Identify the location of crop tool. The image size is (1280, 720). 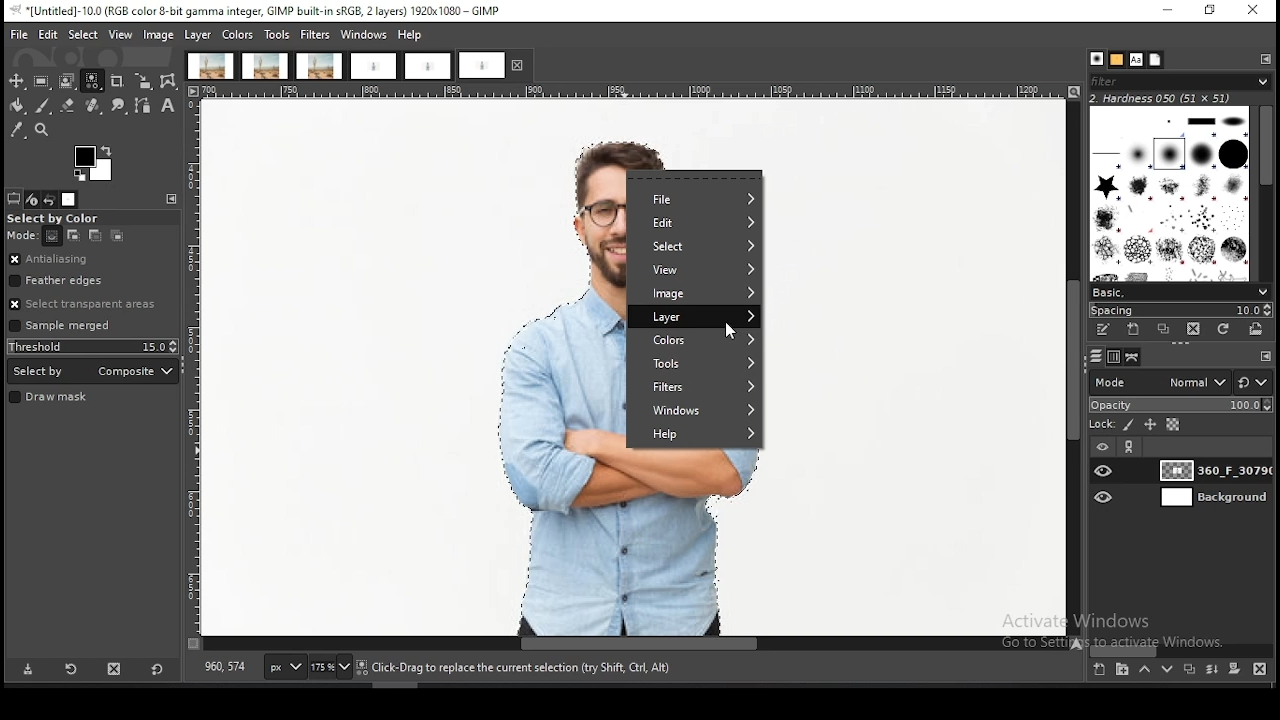
(117, 83).